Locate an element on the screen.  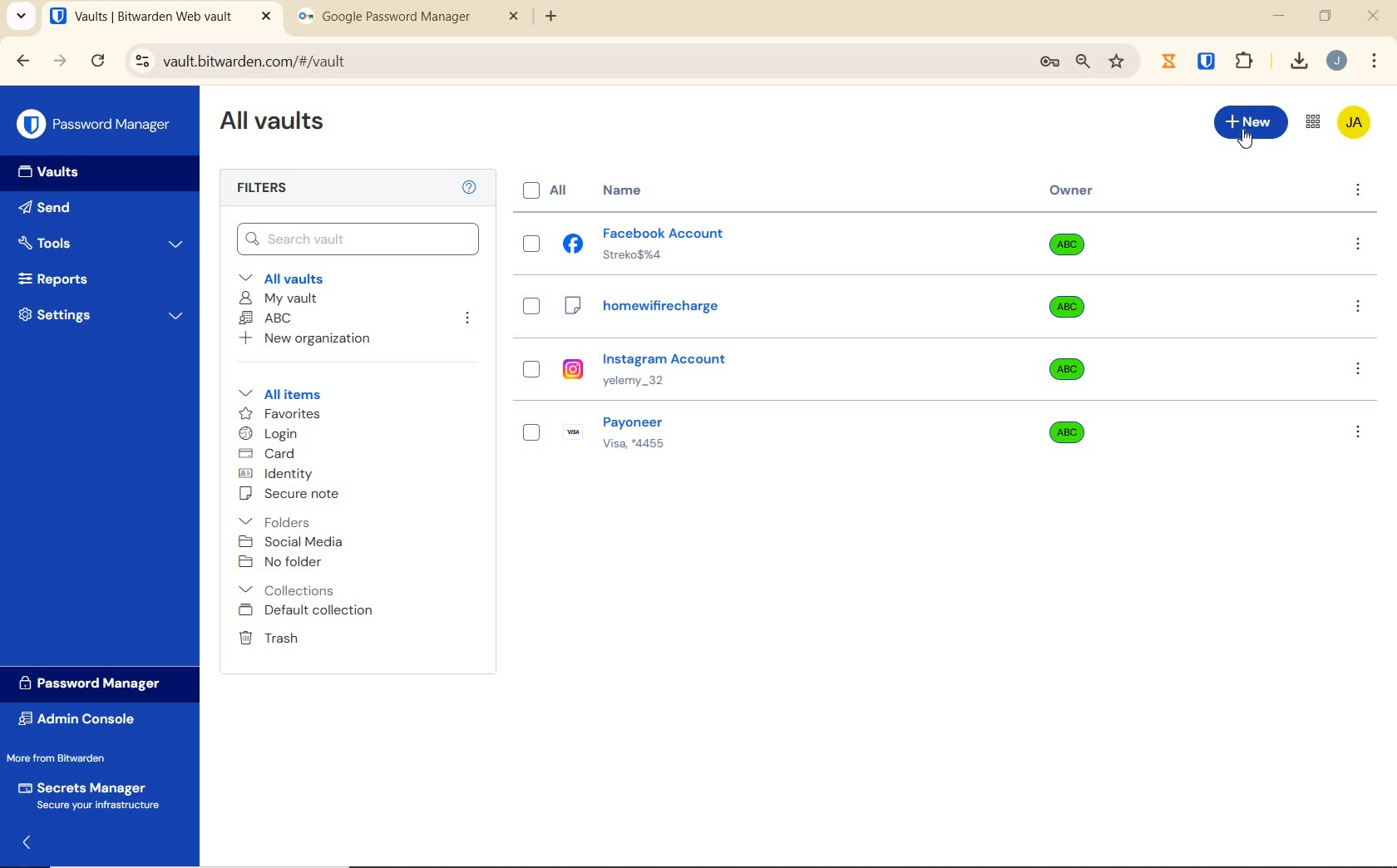
minimize is located at coordinates (1278, 16).